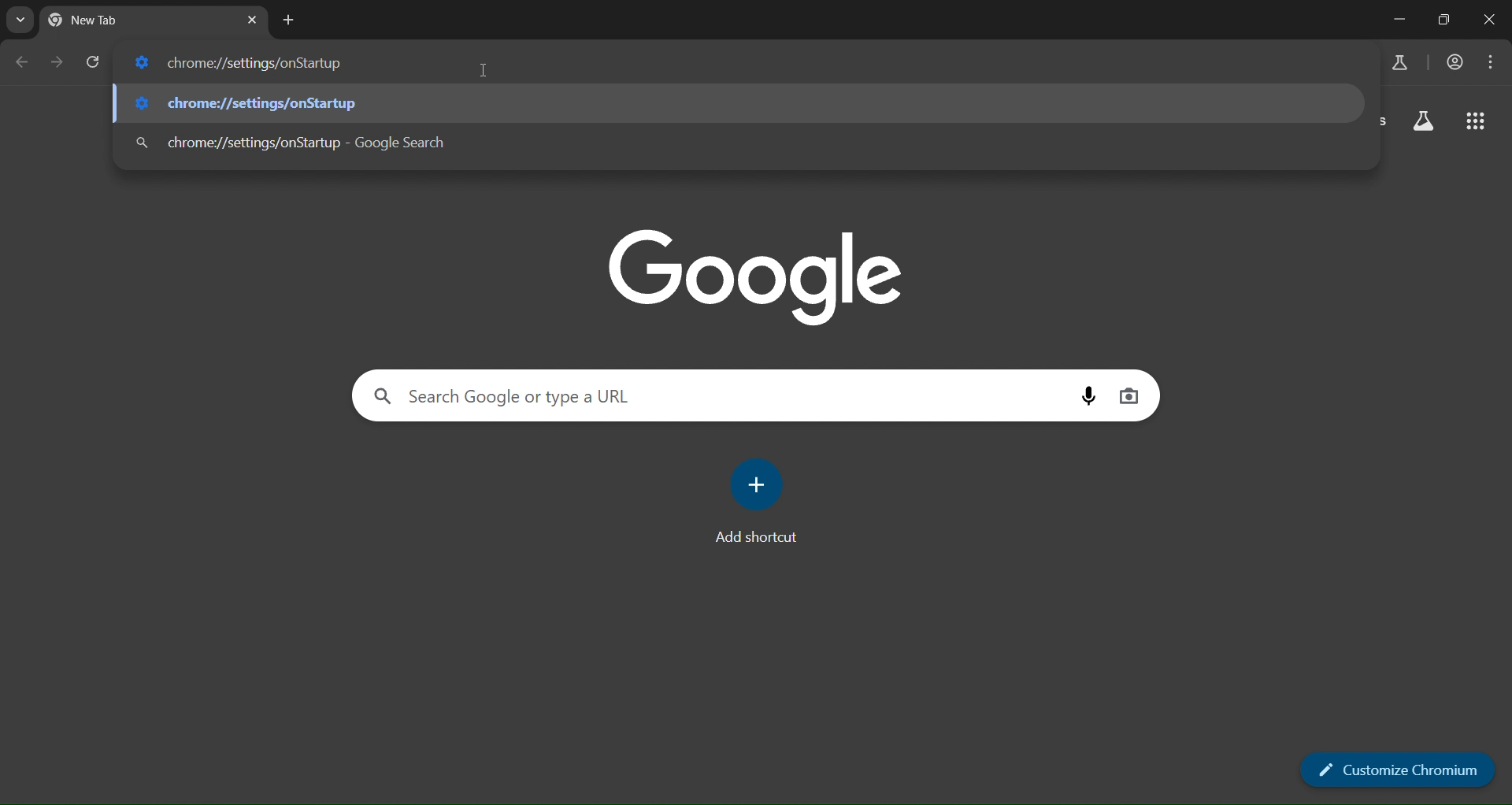 The height and width of the screenshot is (805, 1512). I want to click on restore down, so click(1447, 20).